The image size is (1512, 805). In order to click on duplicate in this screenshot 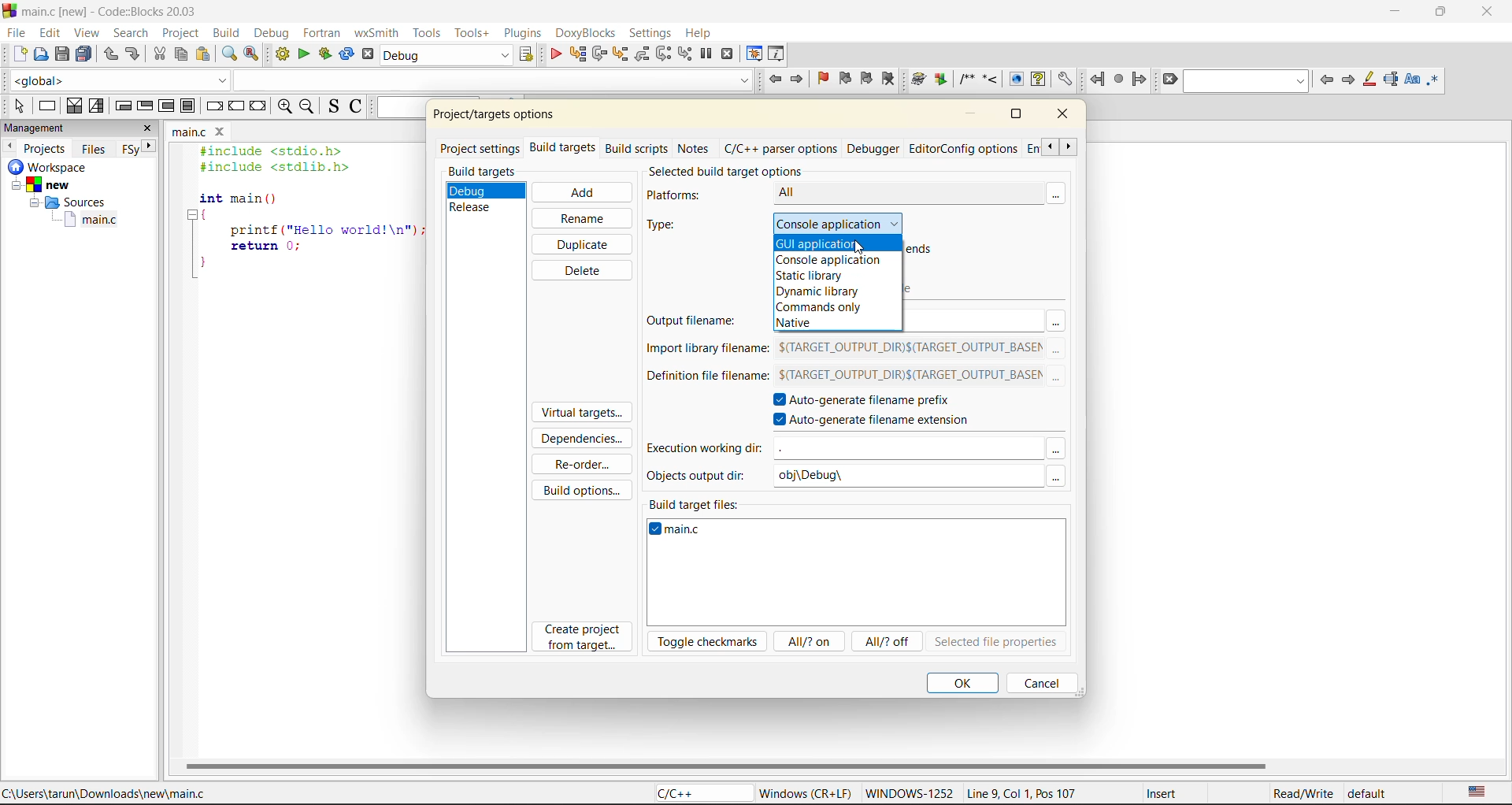, I will do `click(582, 243)`.